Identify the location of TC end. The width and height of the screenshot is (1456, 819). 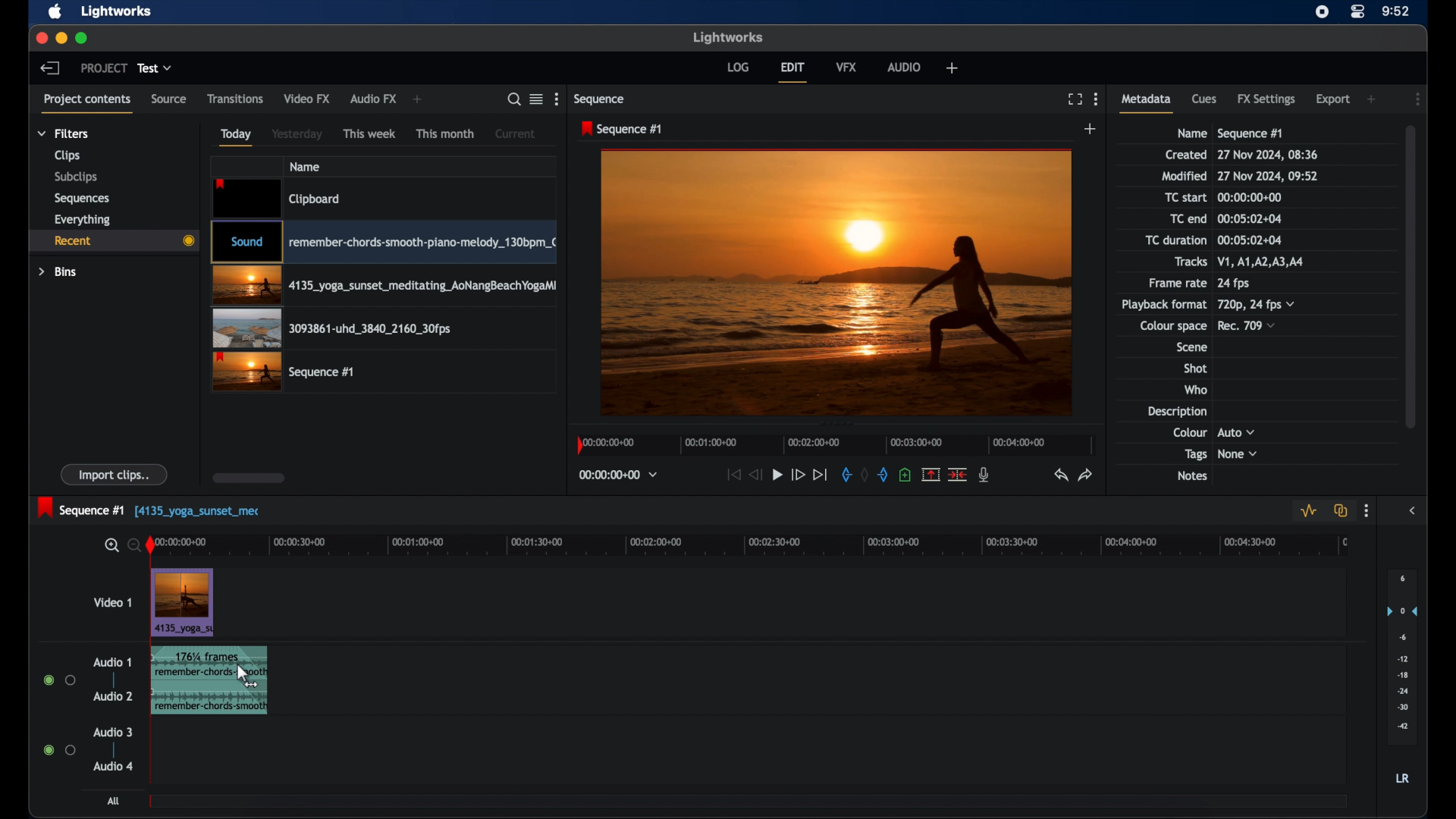
(1178, 218).